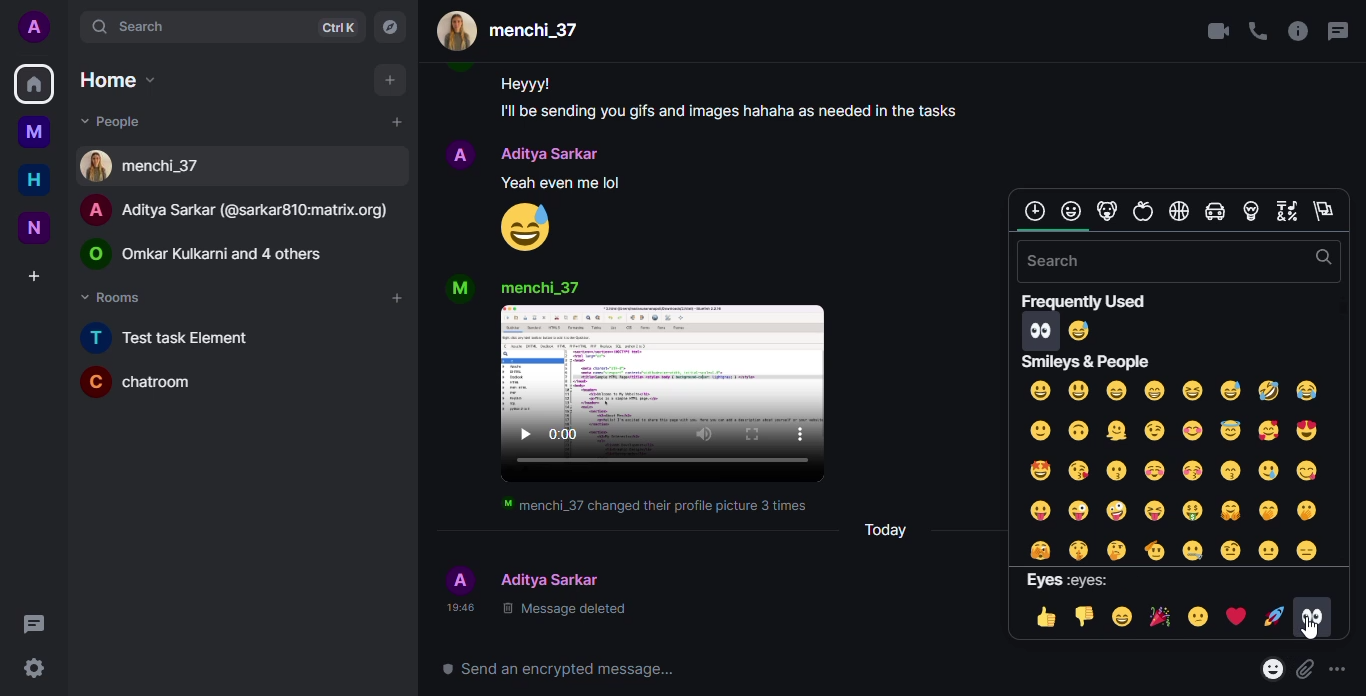 Image resolution: width=1366 pixels, height=696 pixels. What do you see at coordinates (566, 610) in the screenshot?
I see `message deleted` at bounding box center [566, 610].